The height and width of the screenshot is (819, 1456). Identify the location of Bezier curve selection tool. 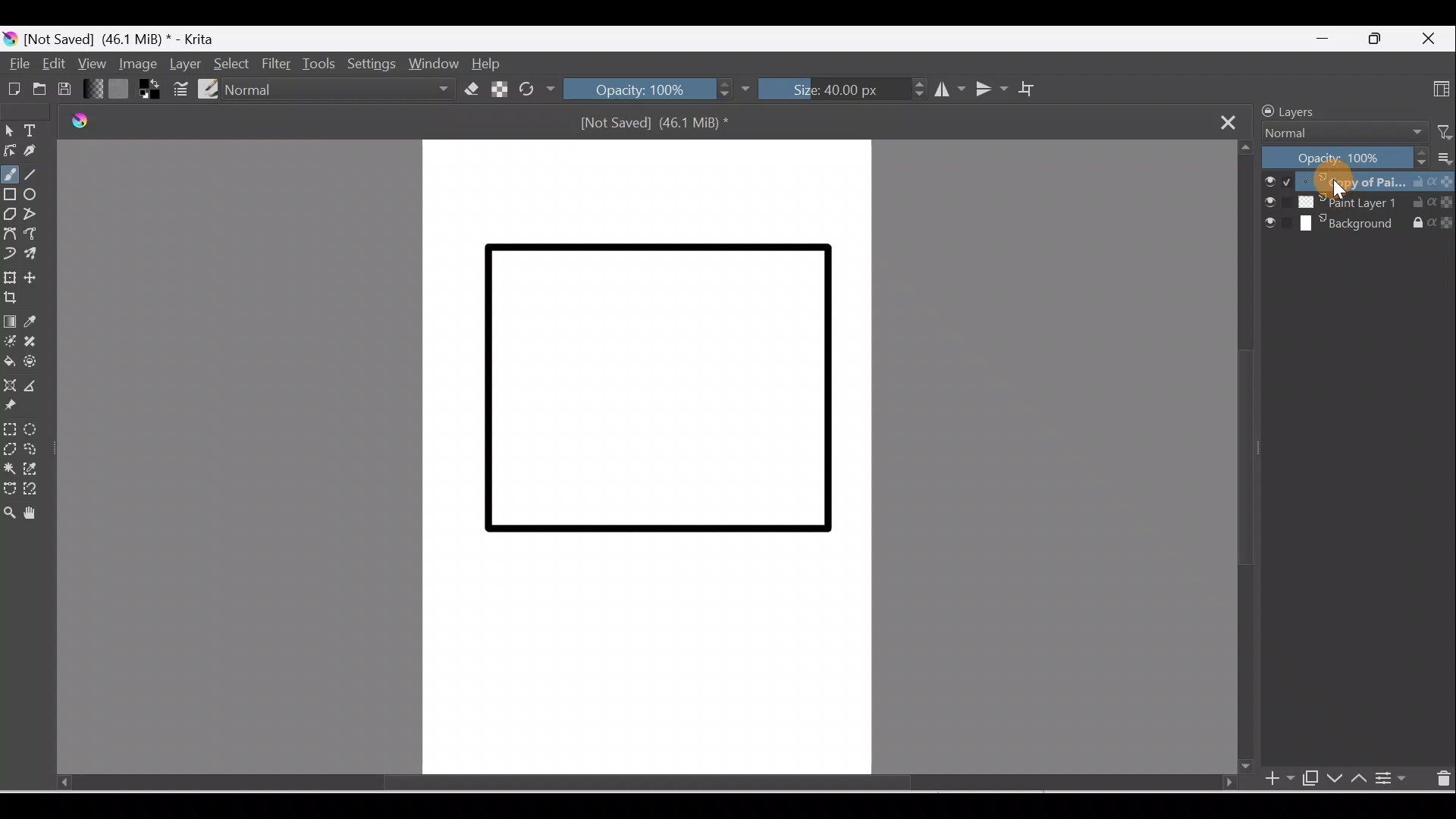
(9, 491).